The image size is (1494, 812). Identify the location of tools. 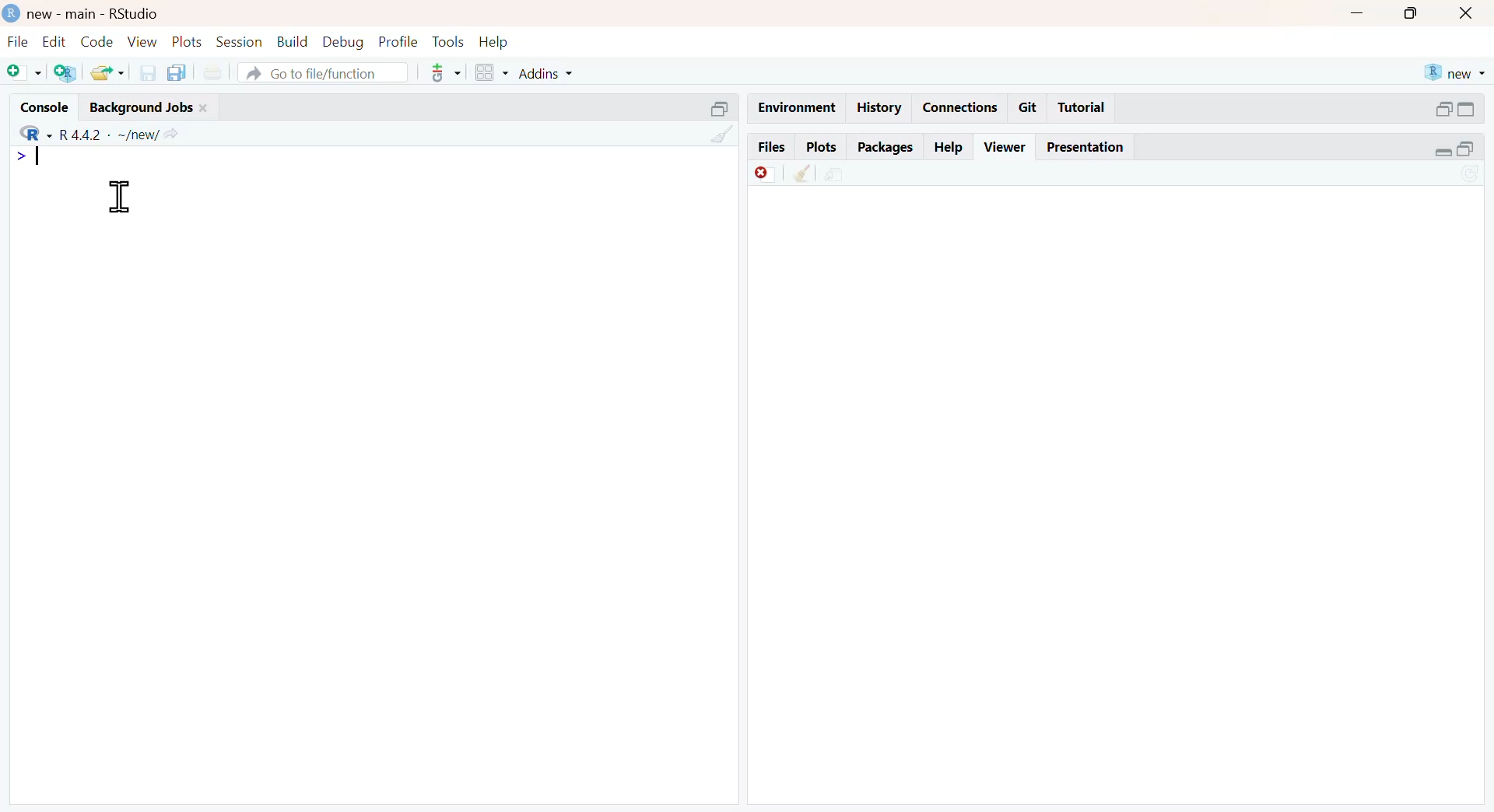
(450, 41).